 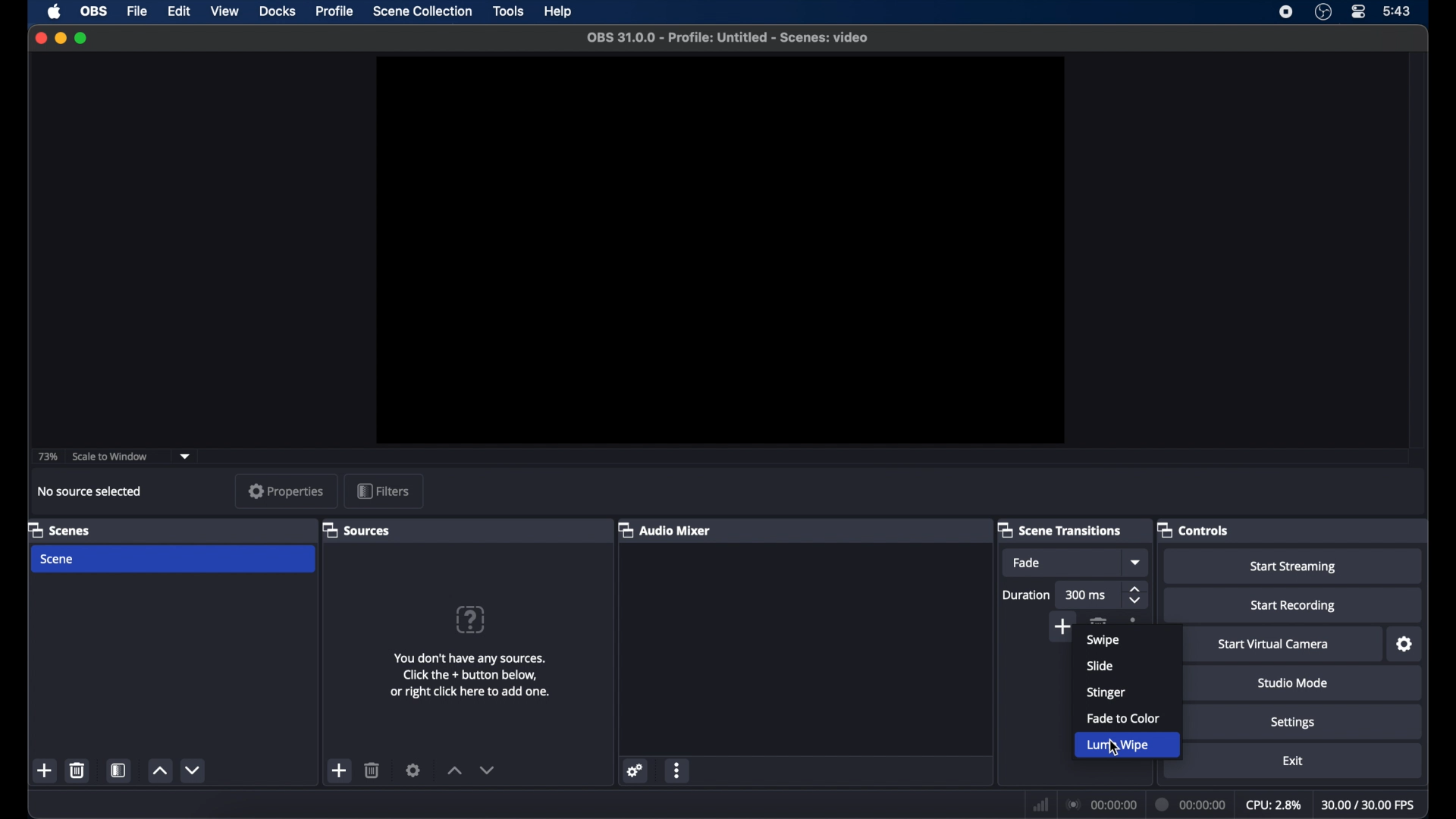 What do you see at coordinates (1272, 805) in the screenshot?
I see `cpu` at bounding box center [1272, 805].